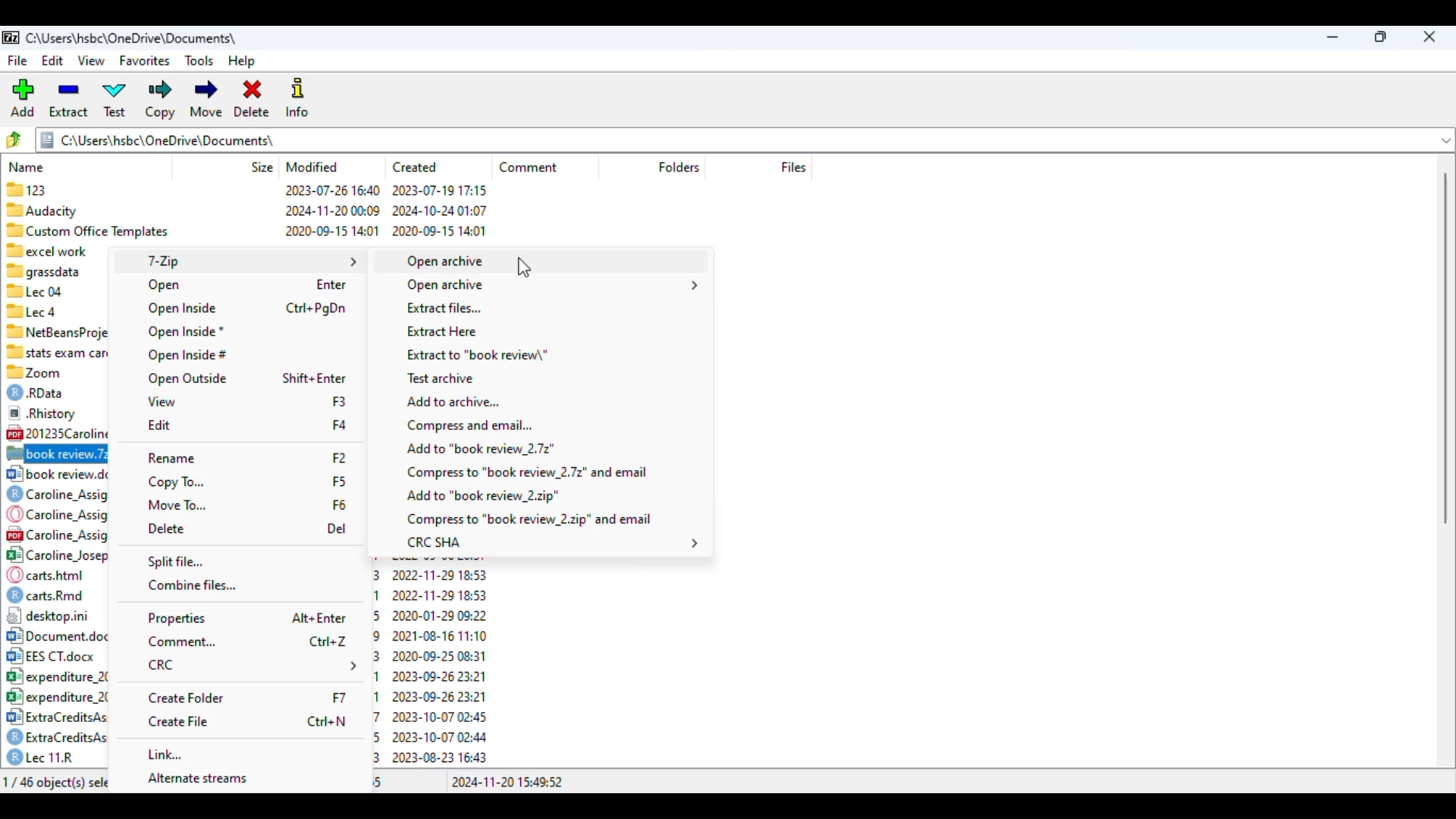 Image resolution: width=1456 pixels, height=819 pixels. I want to click on 7-Zip, so click(251, 260).